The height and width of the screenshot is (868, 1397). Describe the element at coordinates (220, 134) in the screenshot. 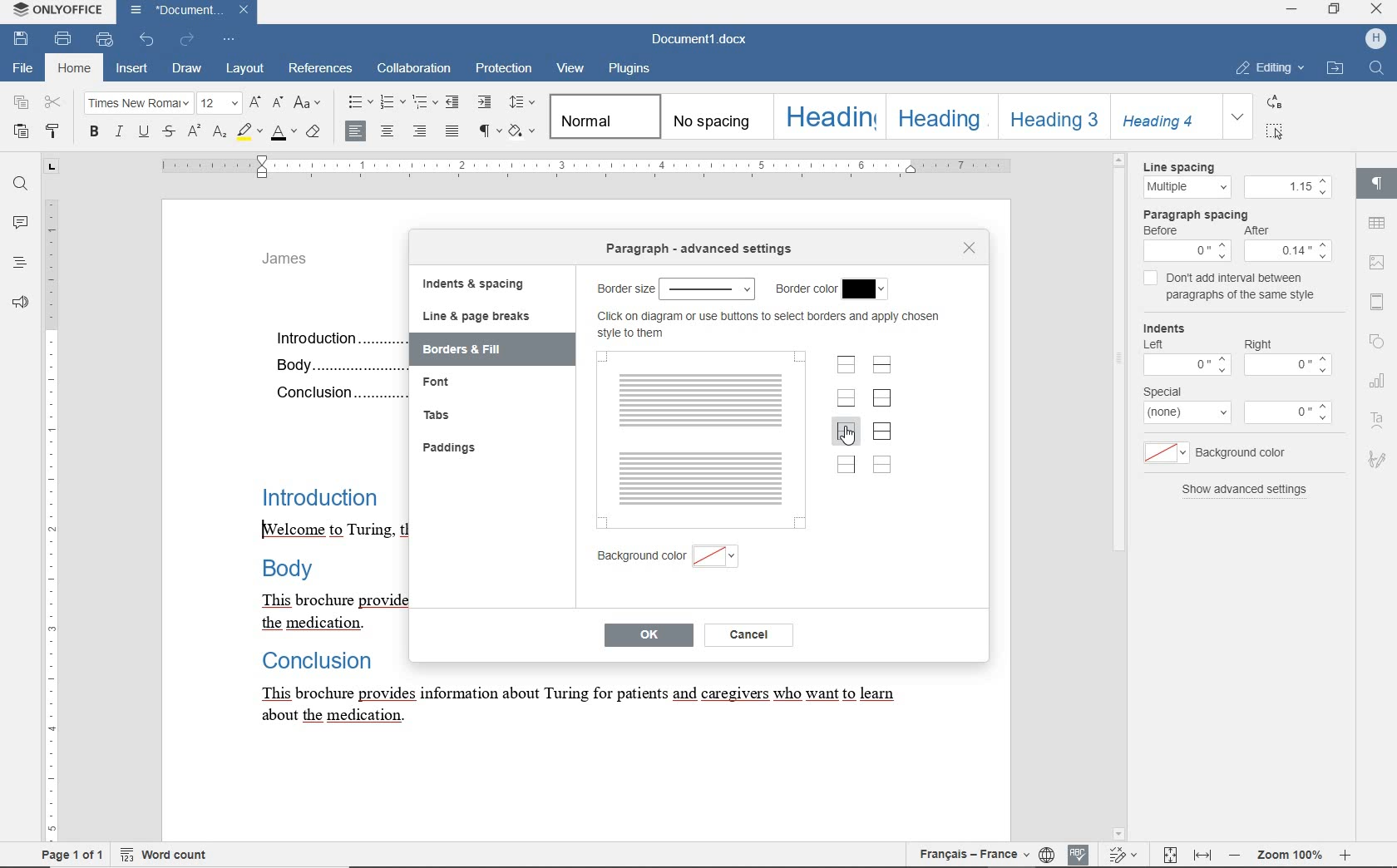

I see `subscript` at that location.